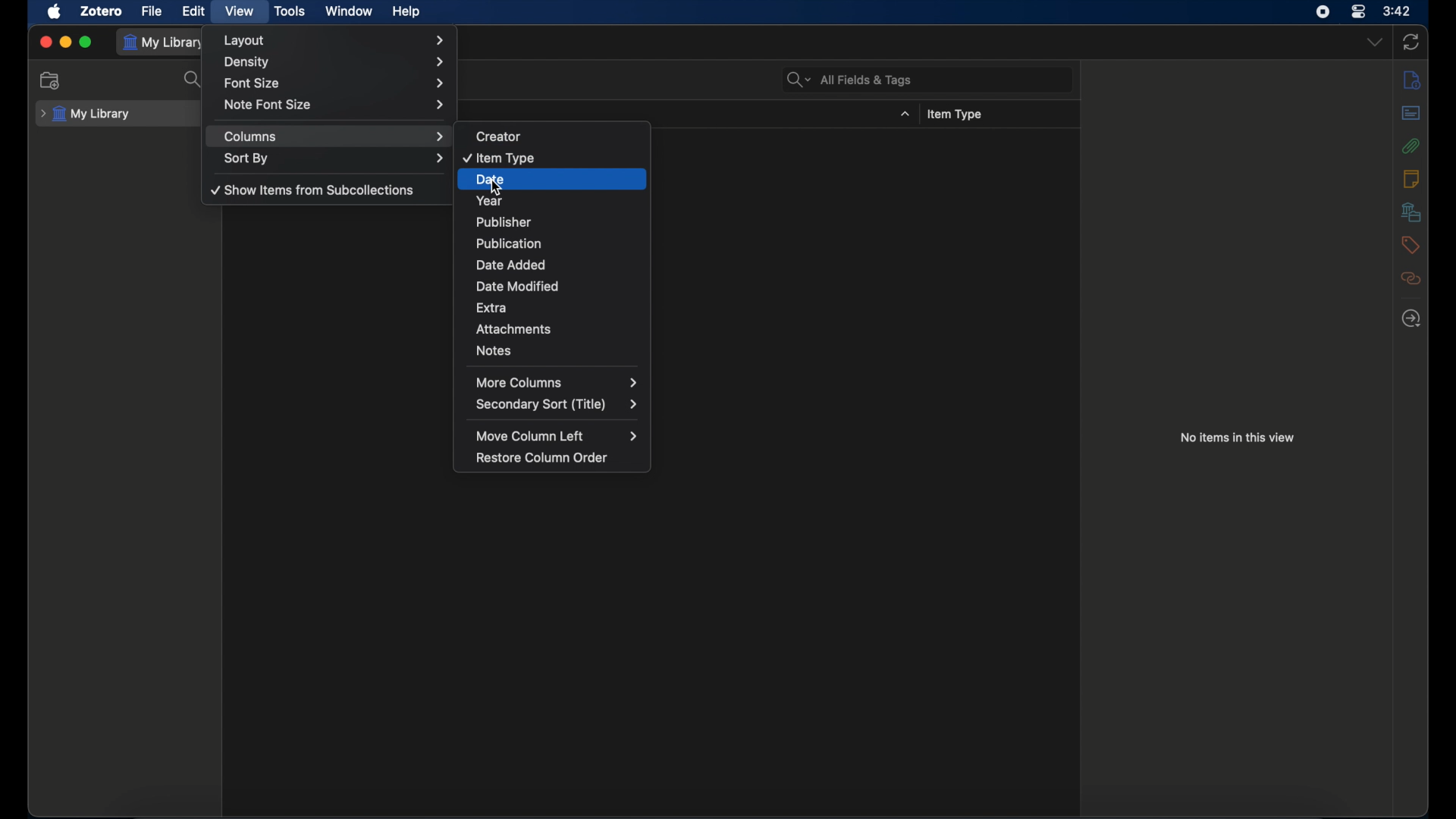 This screenshot has width=1456, height=819. Describe the element at coordinates (1410, 278) in the screenshot. I see `related` at that location.